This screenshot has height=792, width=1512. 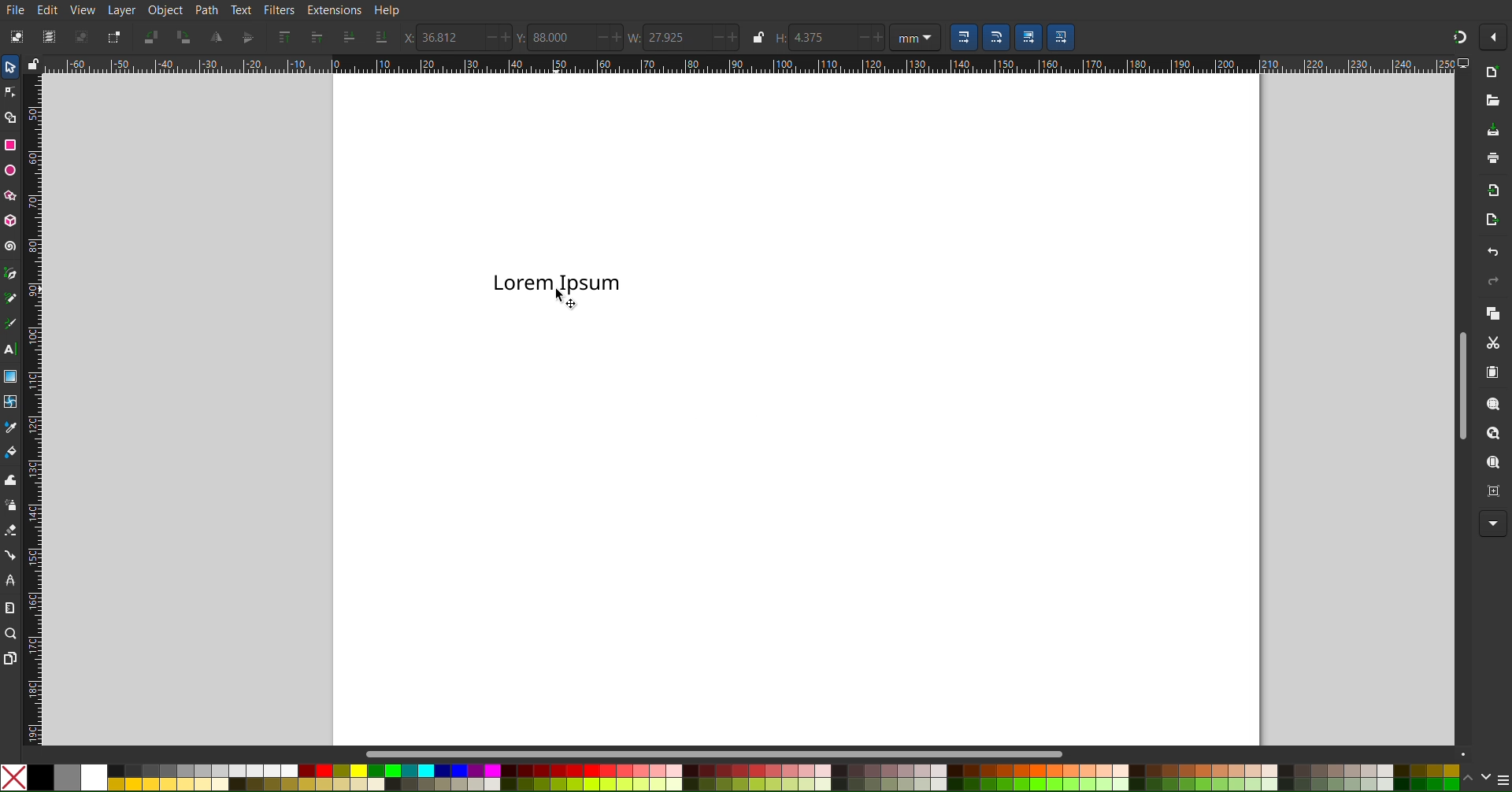 I want to click on Redo, so click(x=1492, y=281).